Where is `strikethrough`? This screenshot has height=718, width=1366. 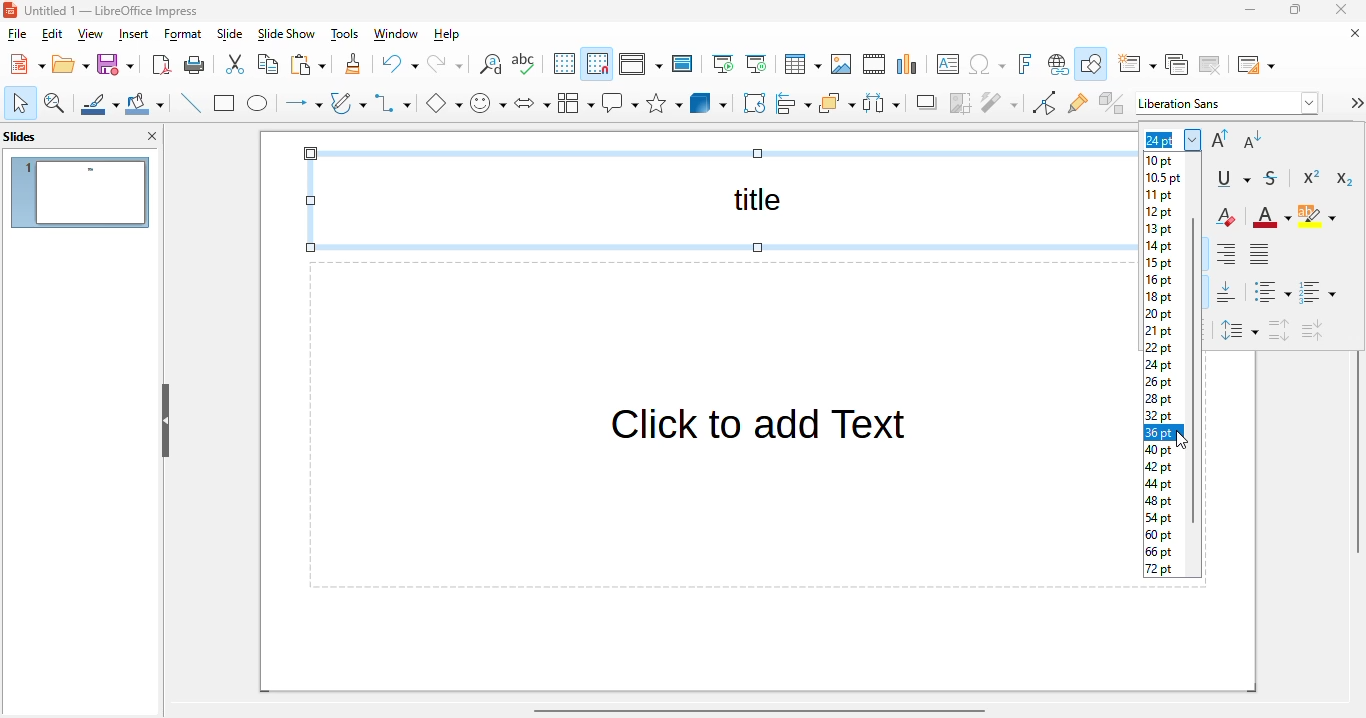
strikethrough is located at coordinates (1272, 179).